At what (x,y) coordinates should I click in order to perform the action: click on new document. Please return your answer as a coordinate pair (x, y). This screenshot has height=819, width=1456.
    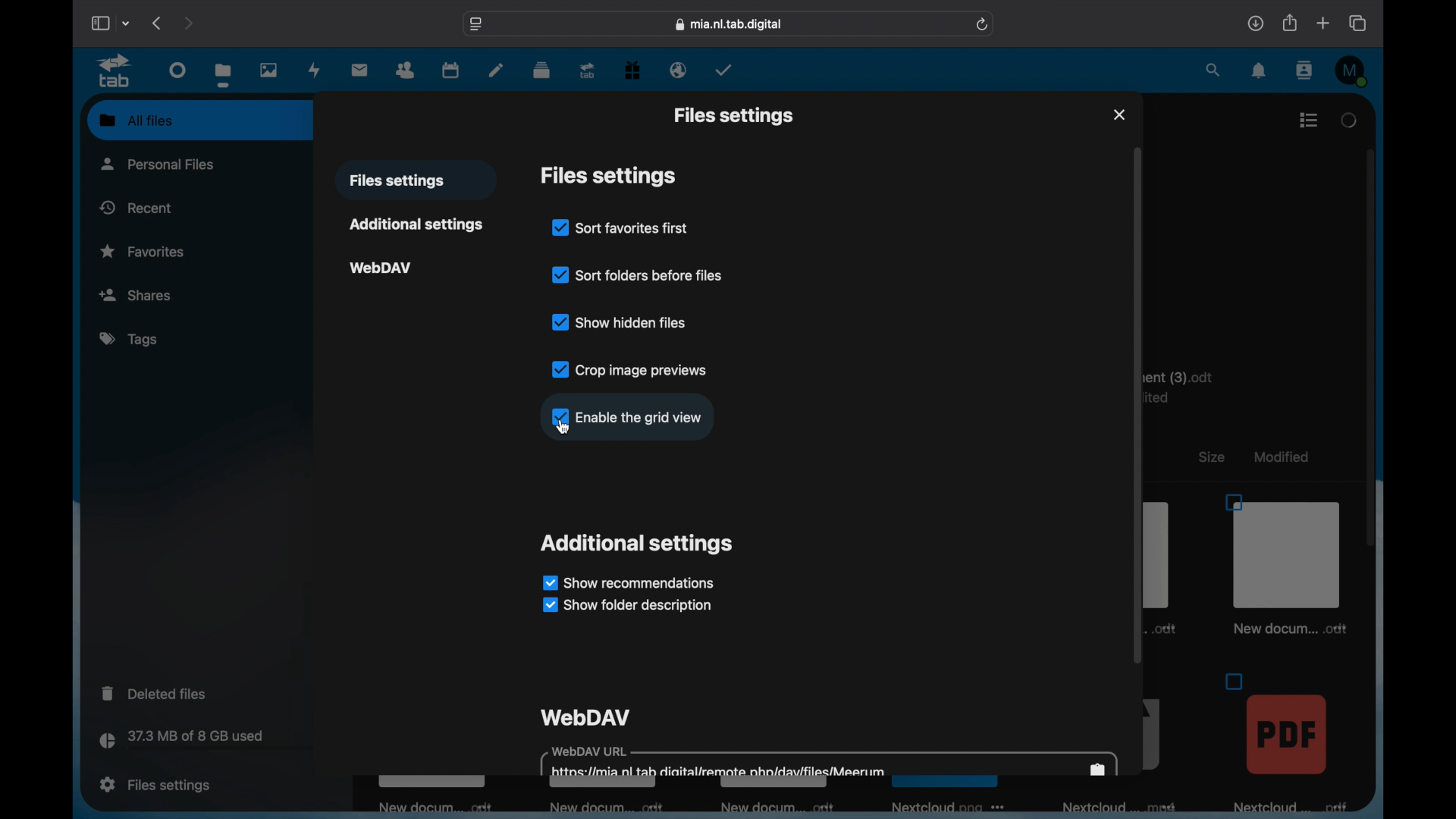
    Looking at the image, I should click on (1288, 566).